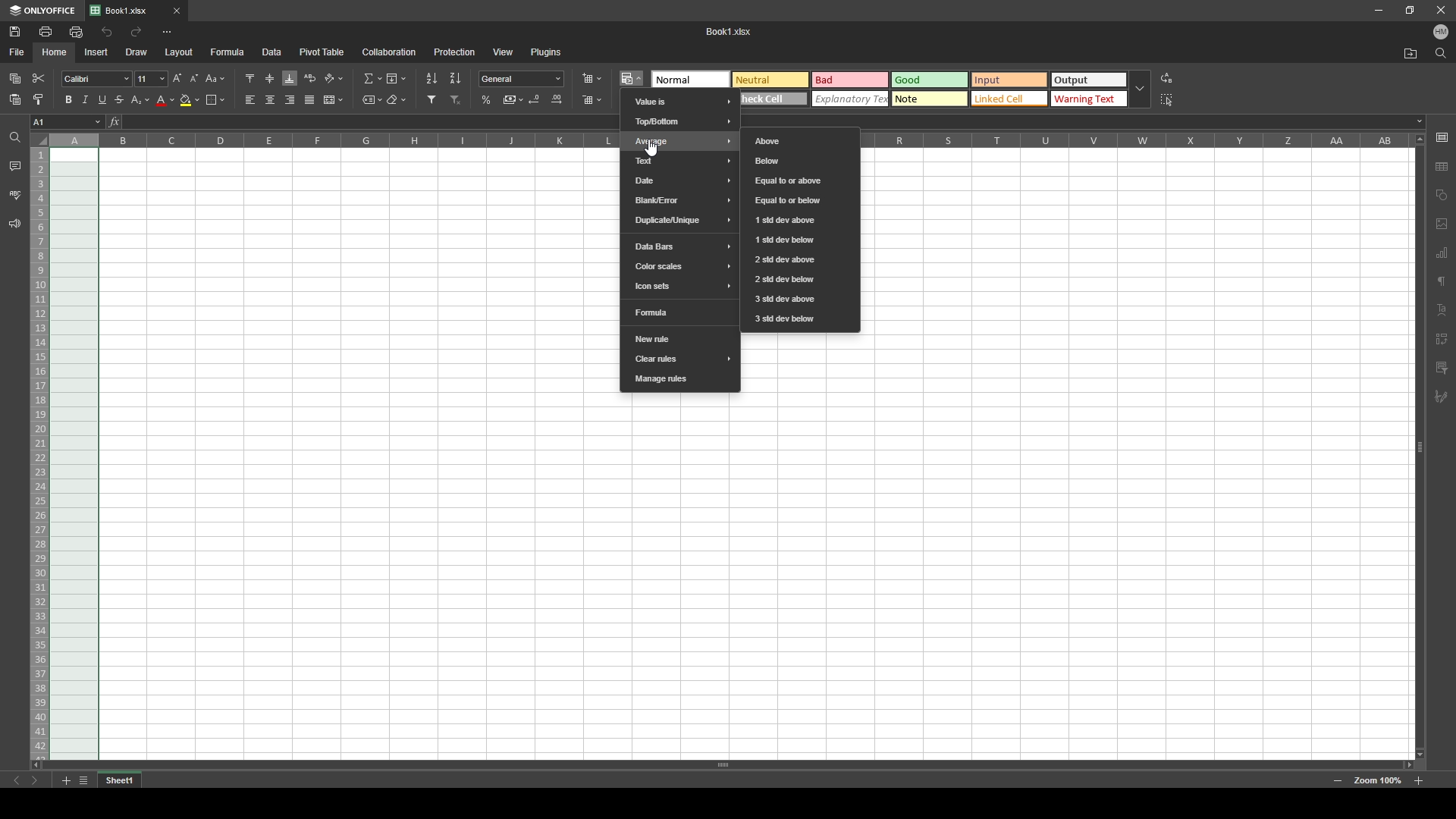  What do you see at coordinates (679, 162) in the screenshot?
I see `text` at bounding box center [679, 162].